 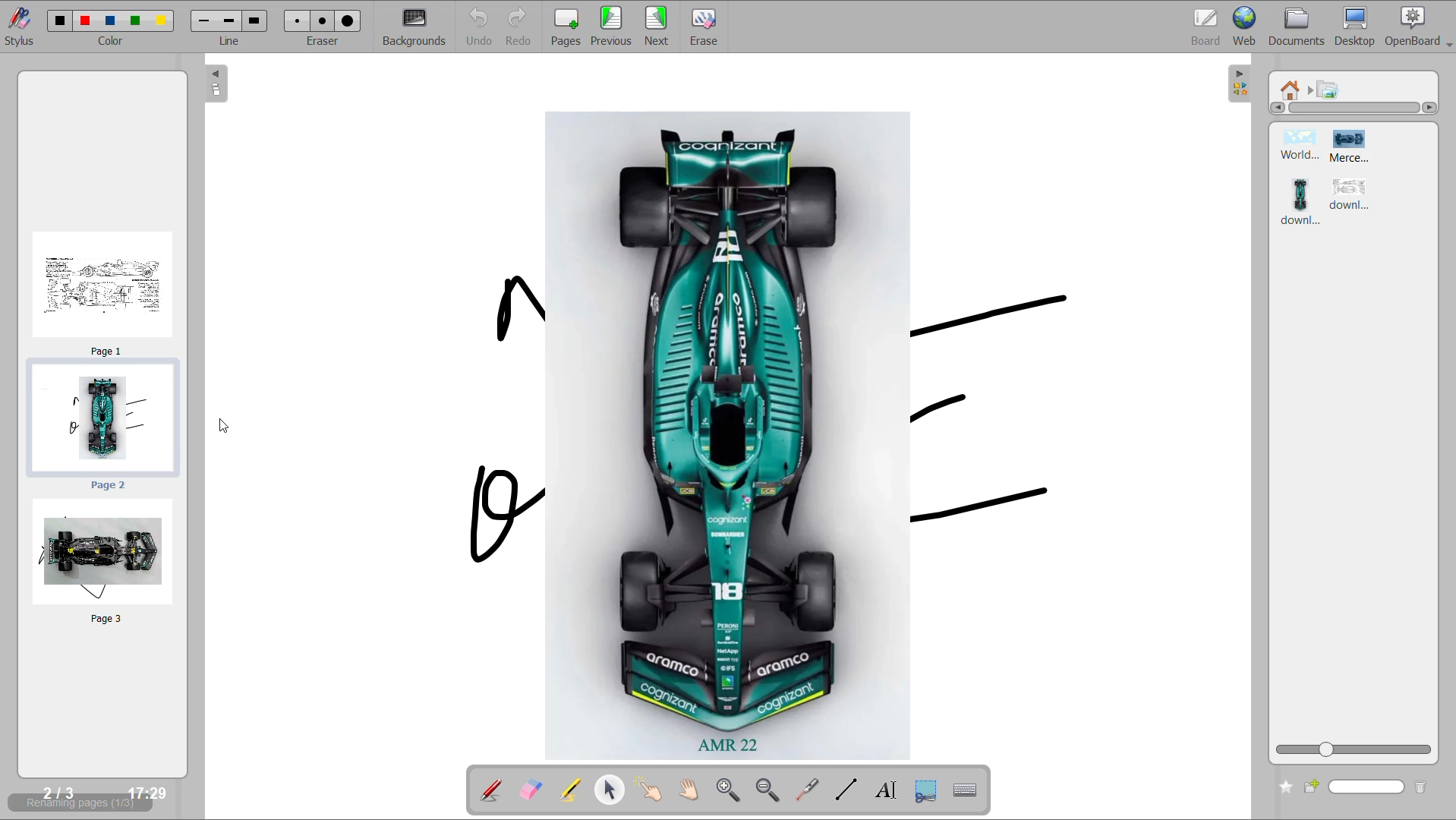 I want to click on zoom in, so click(x=731, y=791).